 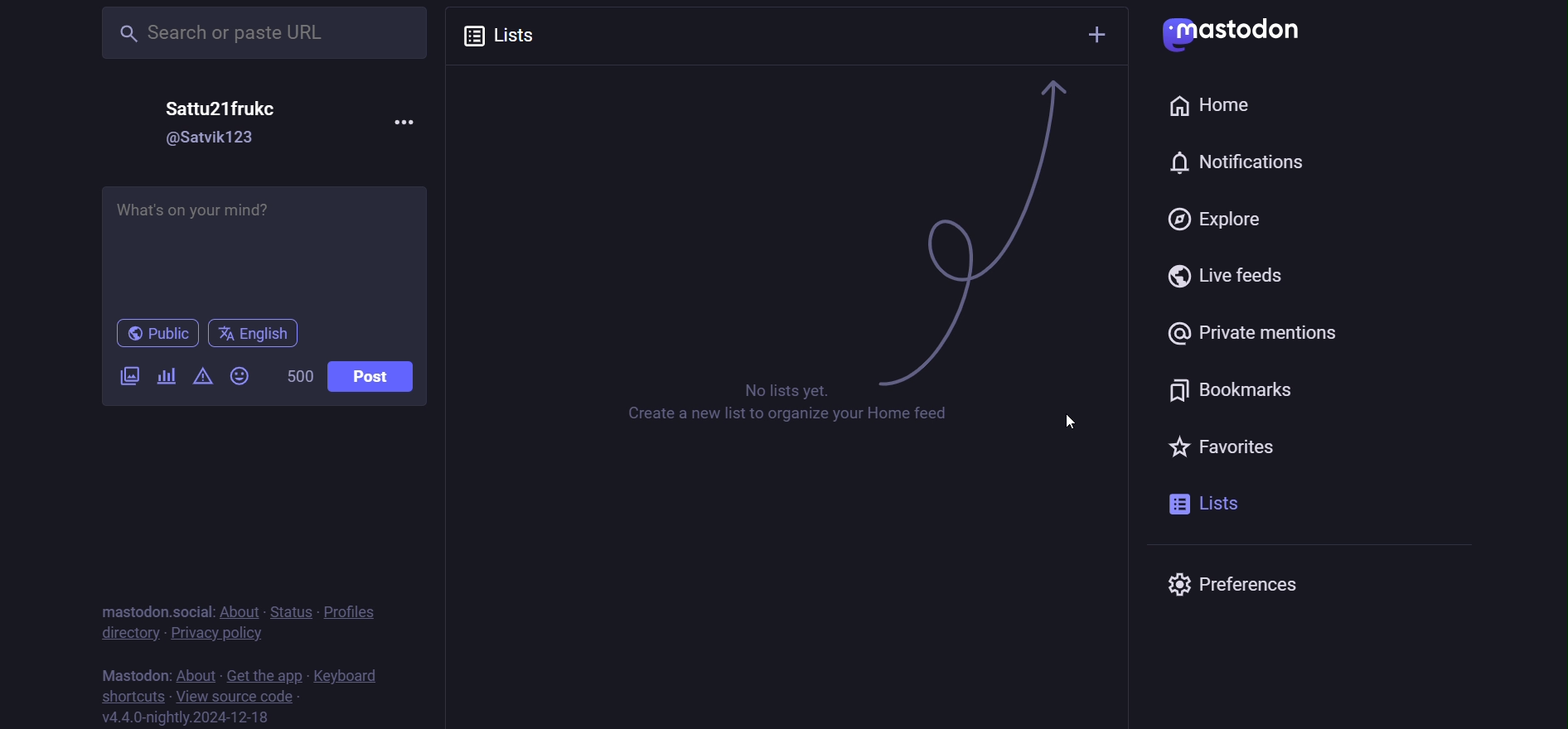 I want to click on emoji, so click(x=240, y=374).